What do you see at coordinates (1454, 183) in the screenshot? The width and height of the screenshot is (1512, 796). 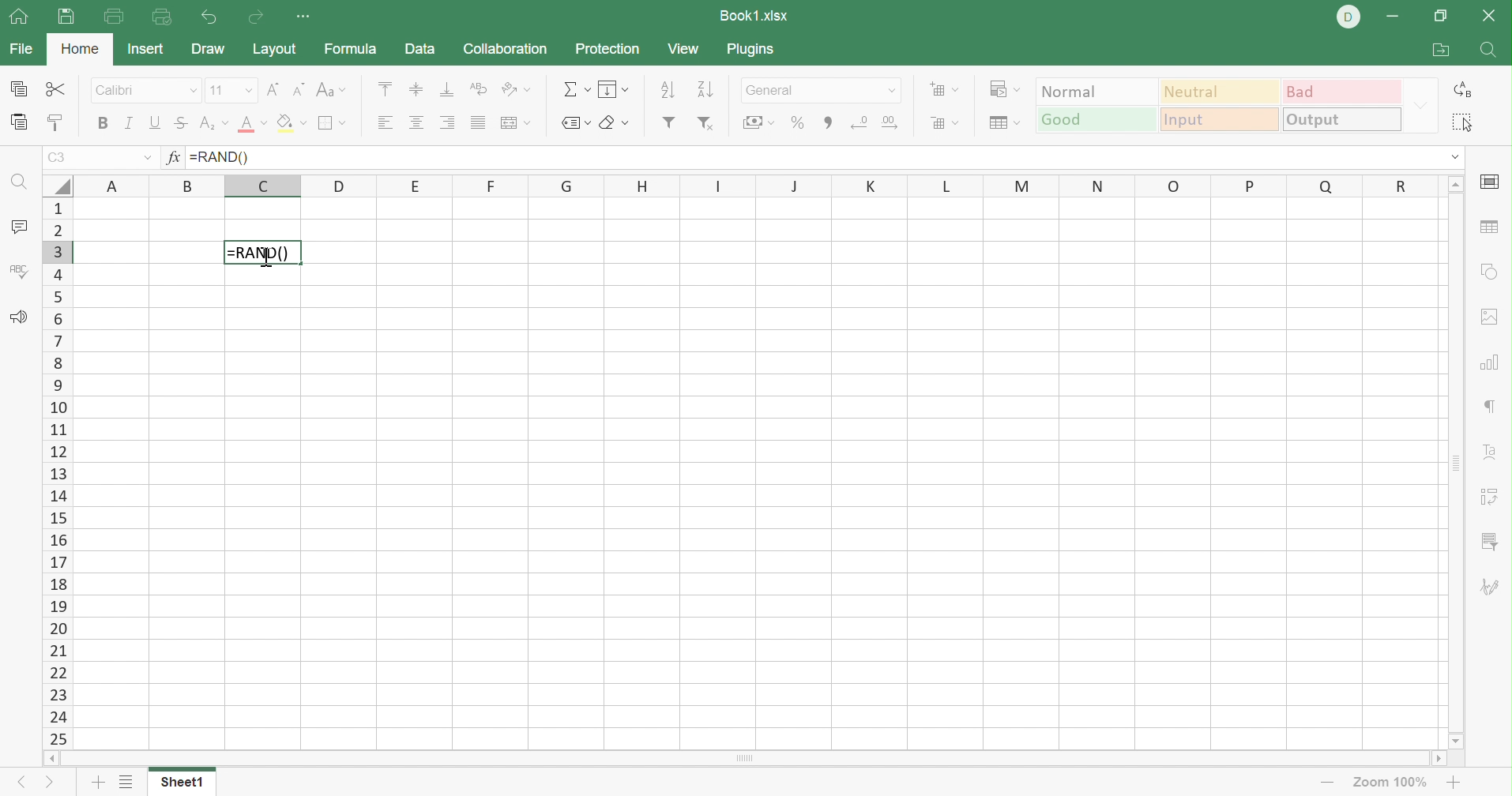 I see `Scroll up` at bounding box center [1454, 183].